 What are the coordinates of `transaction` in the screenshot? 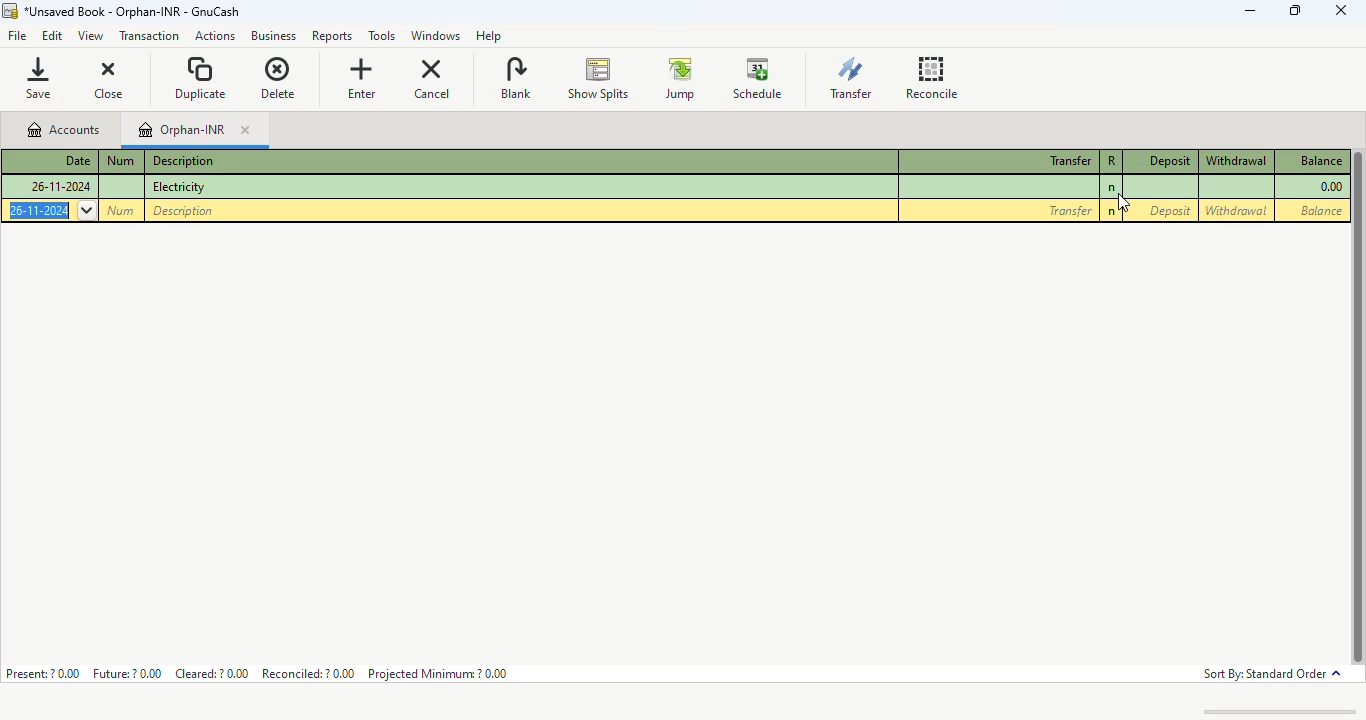 It's located at (149, 36).